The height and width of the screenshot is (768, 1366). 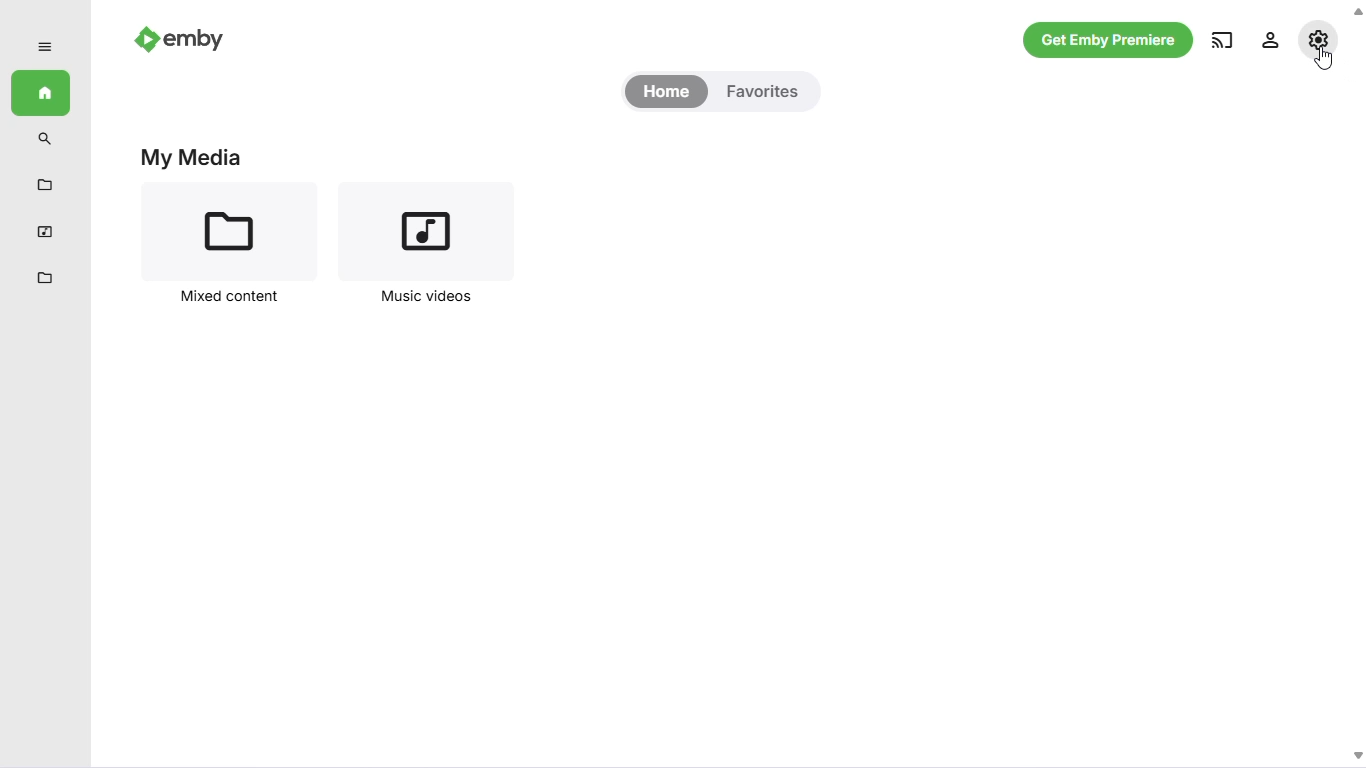 What do you see at coordinates (1323, 60) in the screenshot?
I see `cursor` at bounding box center [1323, 60].